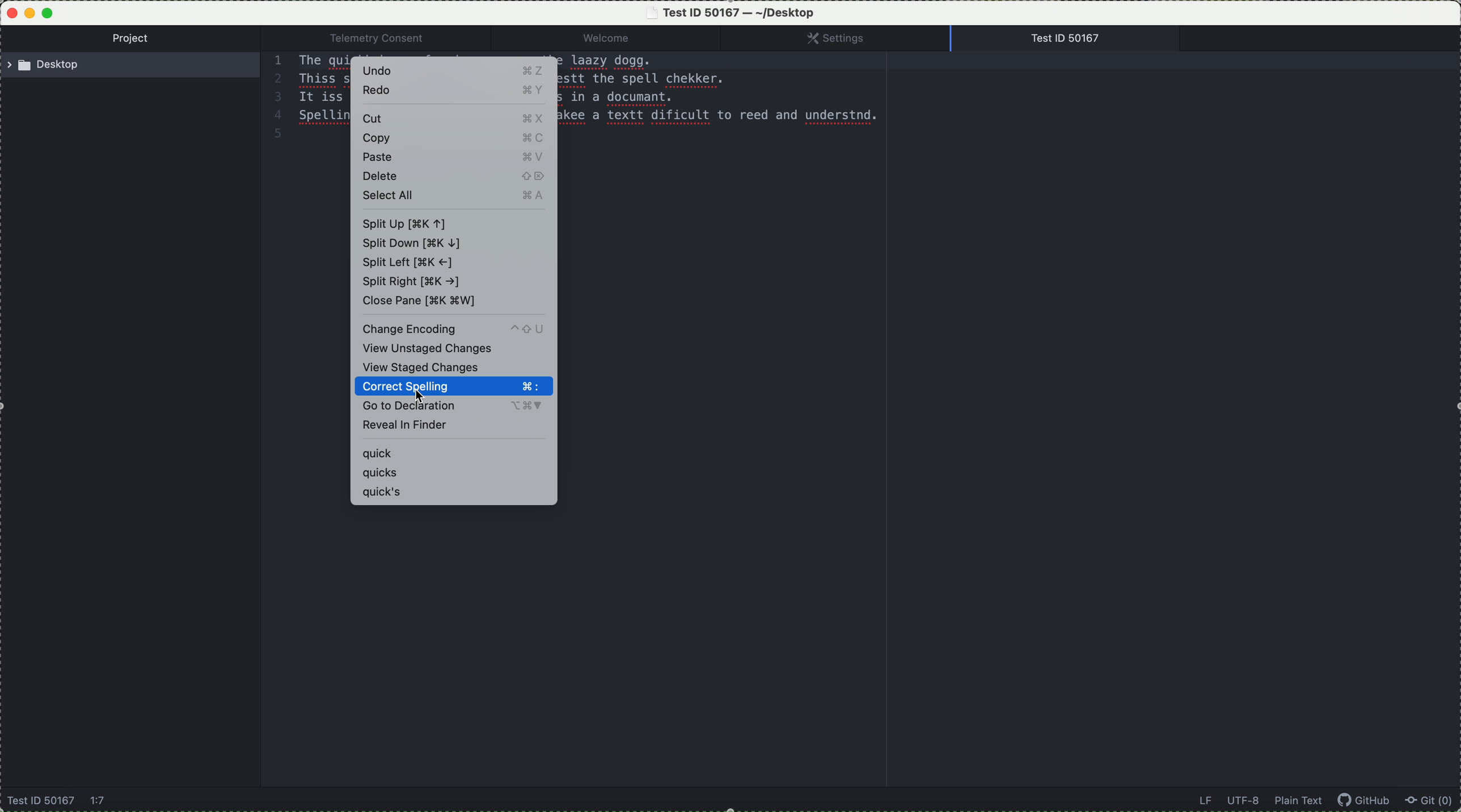  Describe the element at coordinates (410, 425) in the screenshot. I see `reveal in finder` at that location.